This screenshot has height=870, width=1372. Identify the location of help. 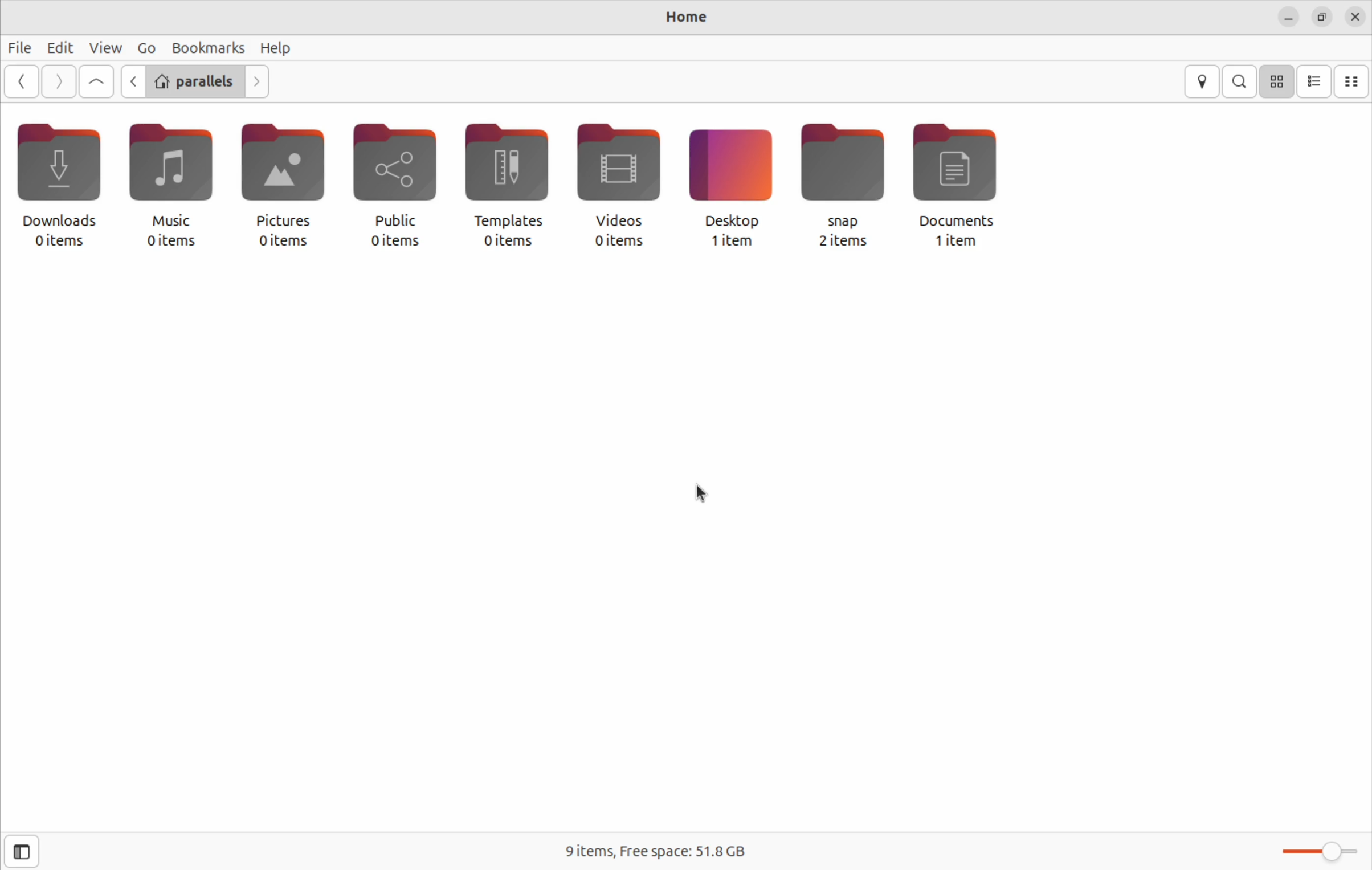
(277, 50).